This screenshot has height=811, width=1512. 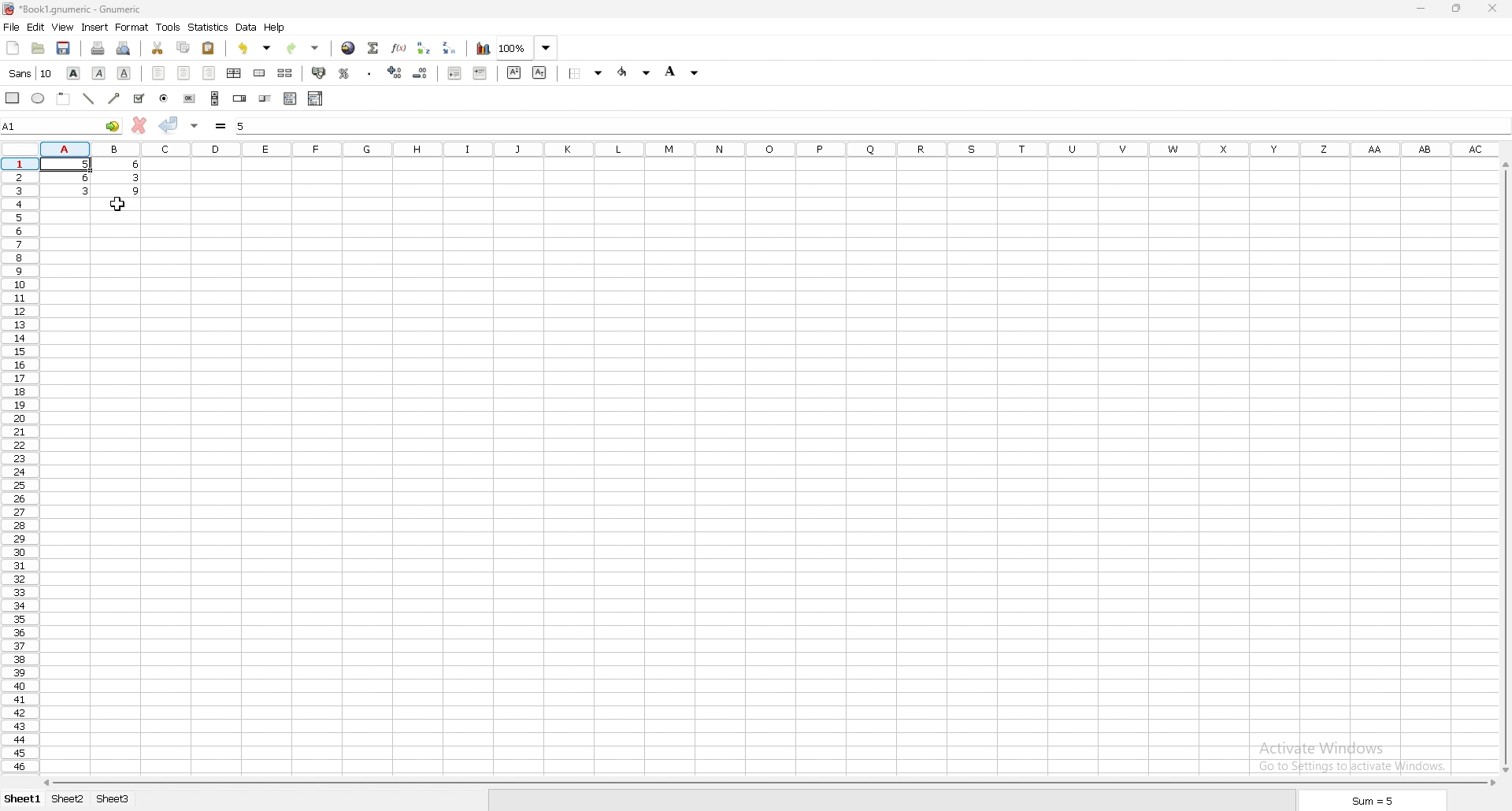 I want to click on sheet, so click(x=24, y=798).